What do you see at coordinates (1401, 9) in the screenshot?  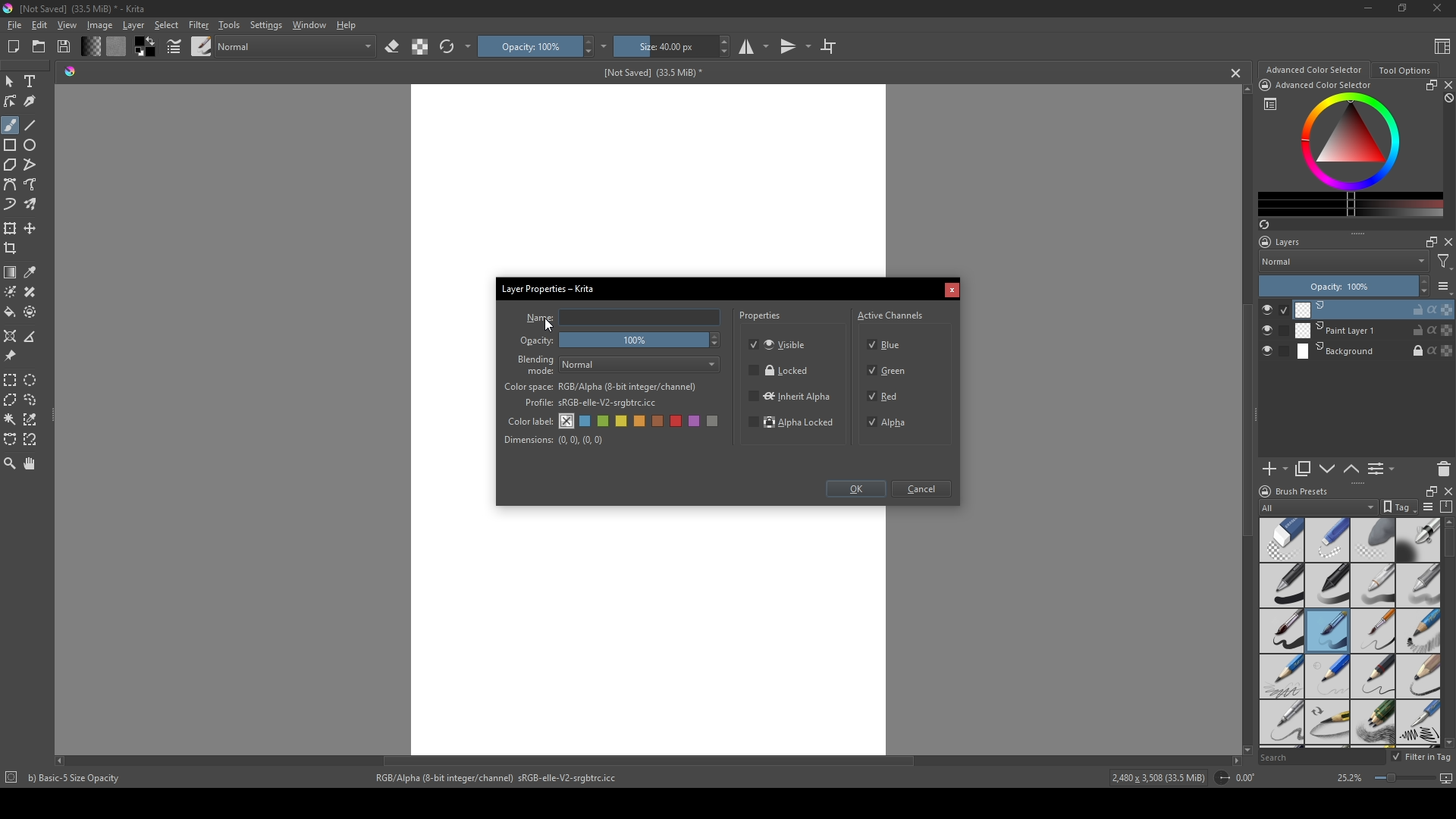 I see `resize` at bounding box center [1401, 9].